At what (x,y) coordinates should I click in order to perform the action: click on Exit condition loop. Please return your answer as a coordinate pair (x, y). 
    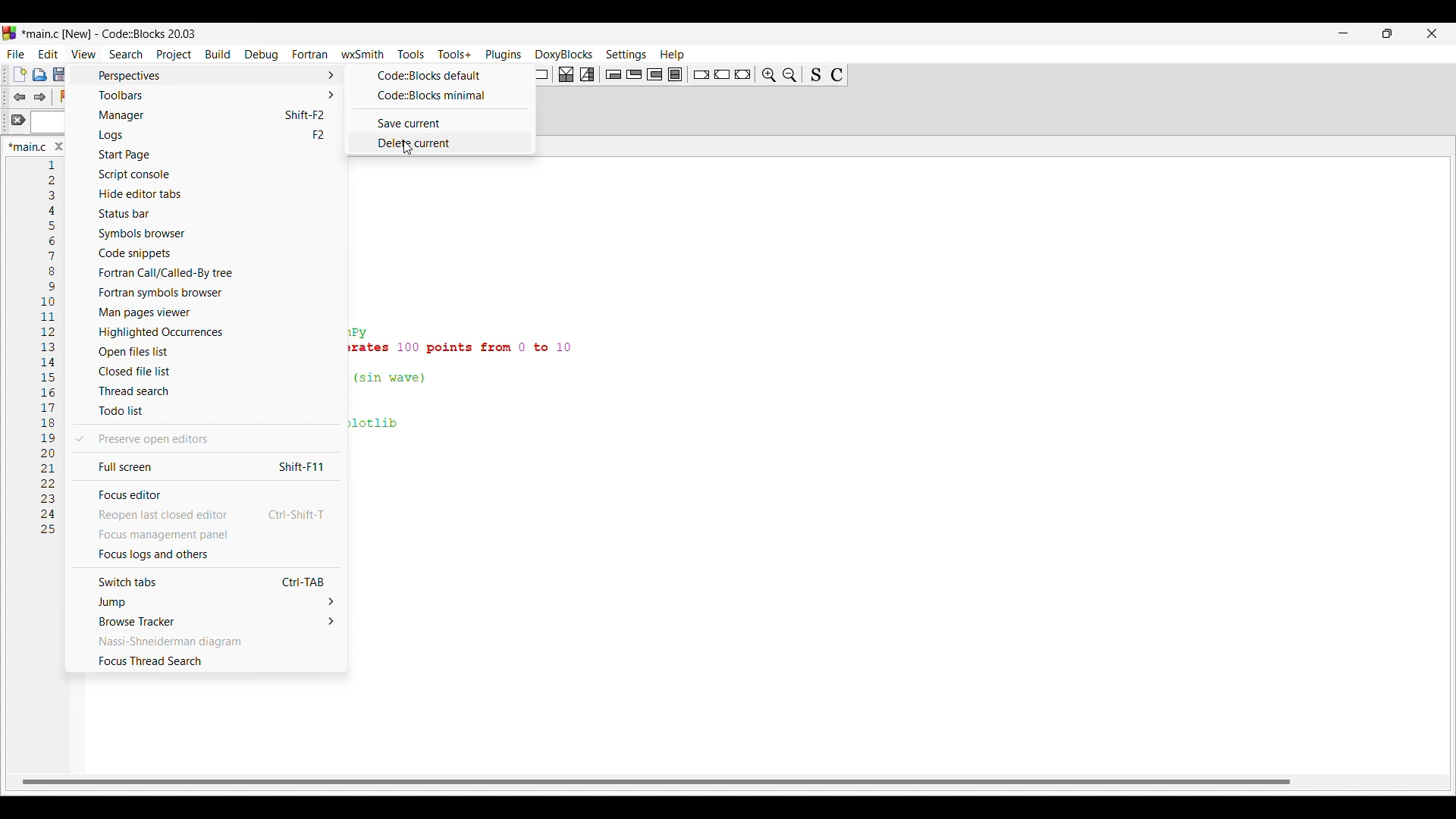
    Looking at the image, I should click on (635, 74).